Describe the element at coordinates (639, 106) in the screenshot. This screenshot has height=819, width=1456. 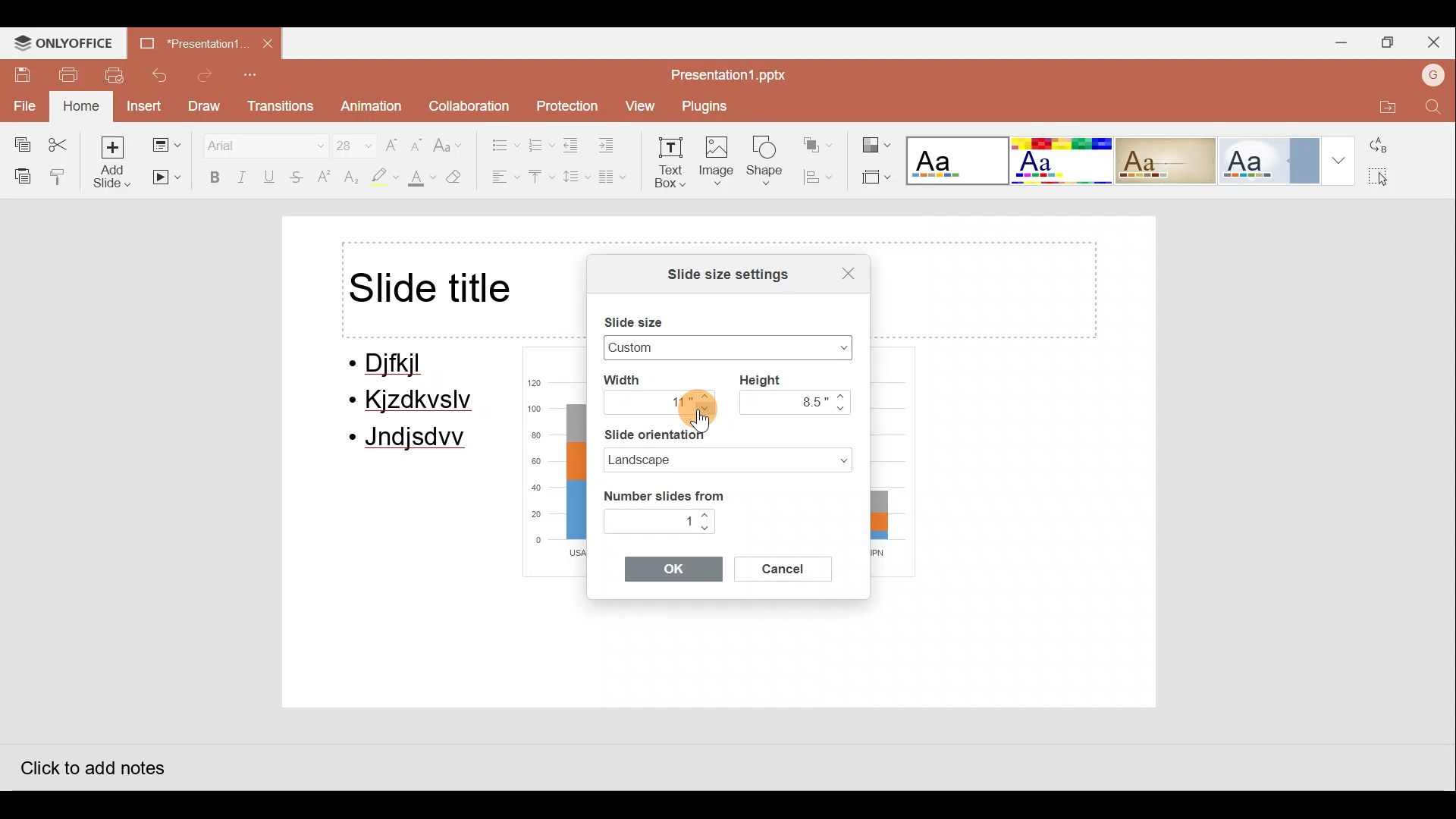
I see `View` at that location.